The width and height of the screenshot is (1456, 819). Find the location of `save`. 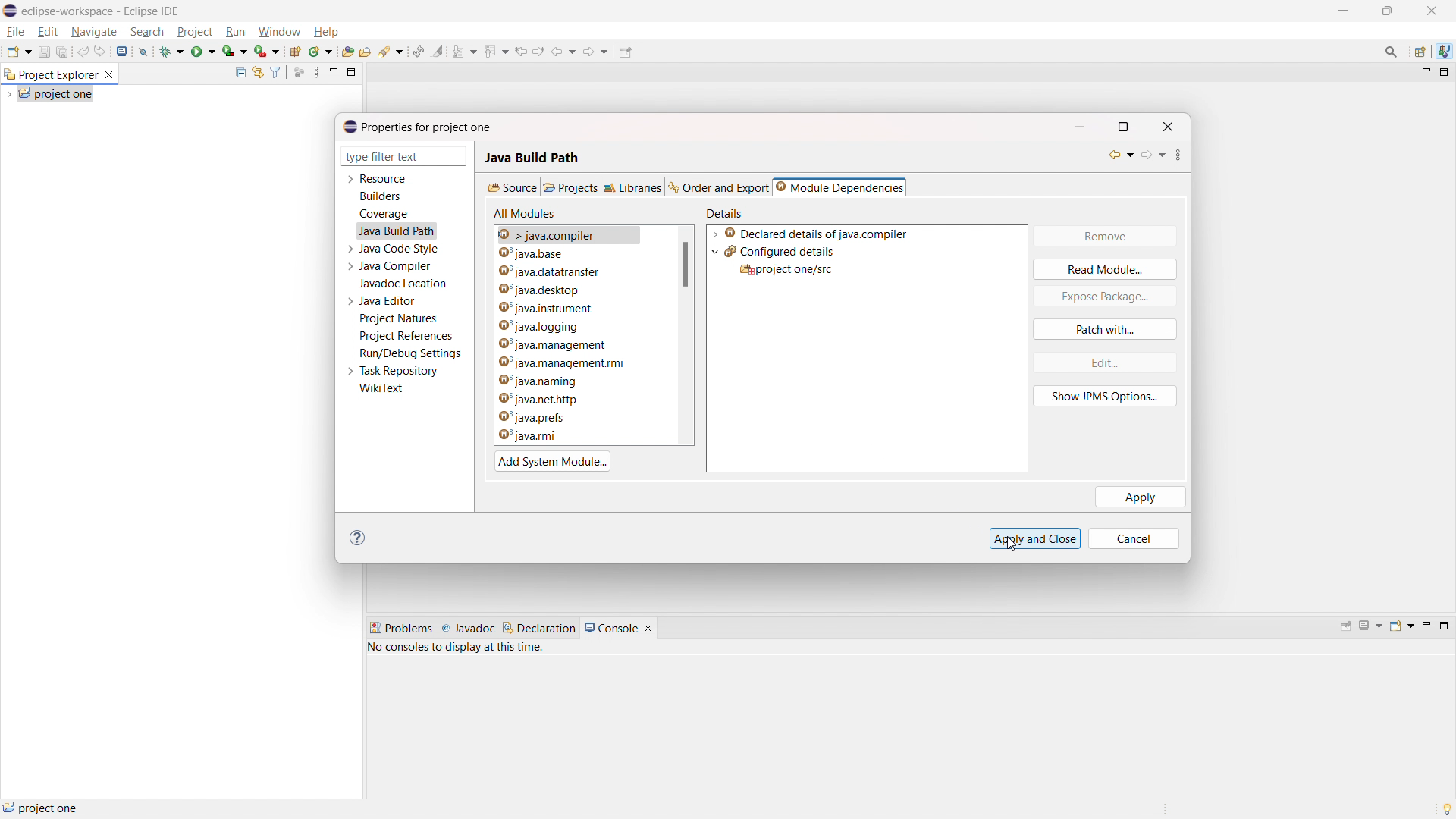

save is located at coordinates (44, 52).